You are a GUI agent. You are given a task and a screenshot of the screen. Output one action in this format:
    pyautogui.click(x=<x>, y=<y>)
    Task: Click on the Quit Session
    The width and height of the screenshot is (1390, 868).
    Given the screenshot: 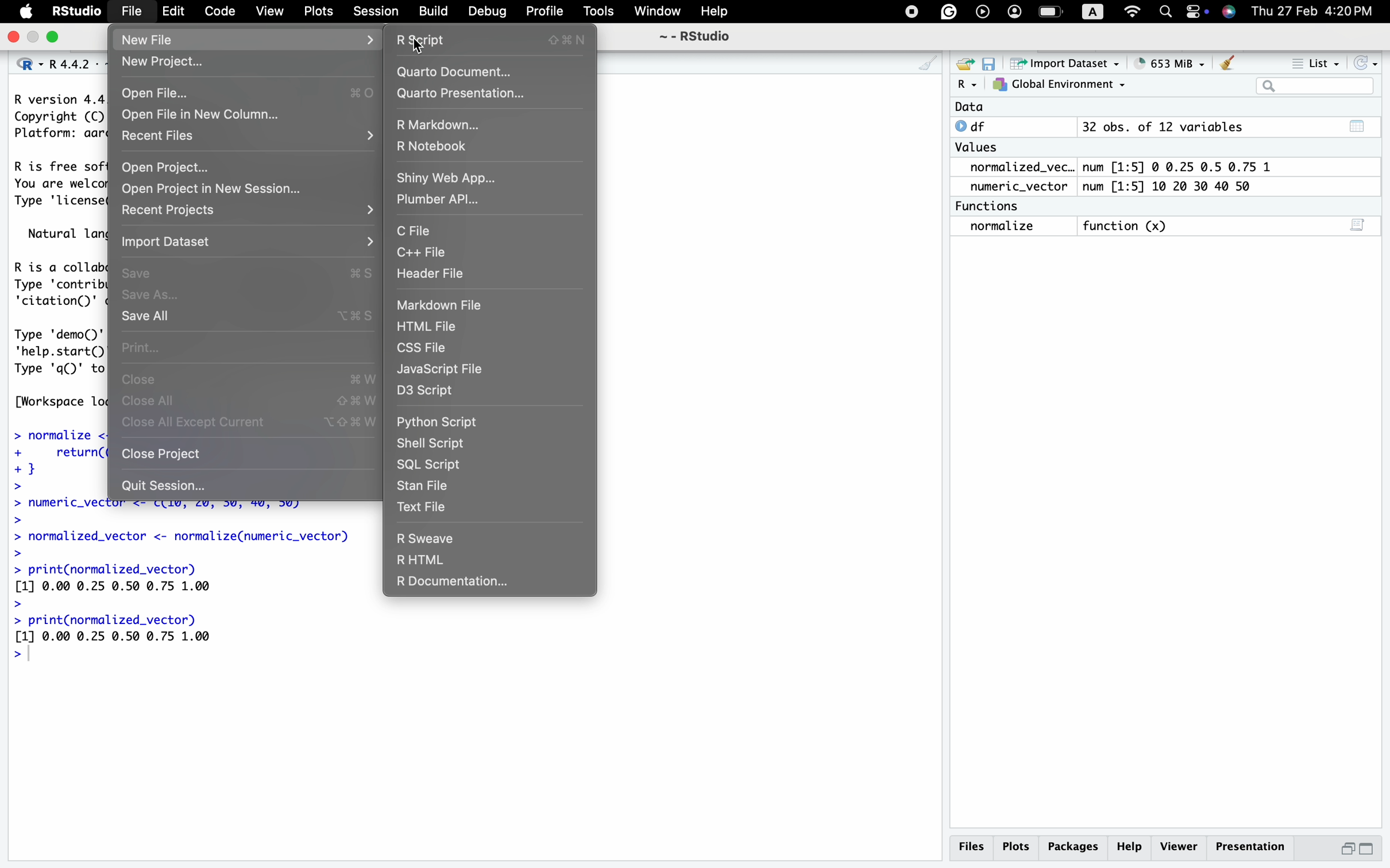 What is the action you would take?
    pyautogui.click(x=165, y=486)
    